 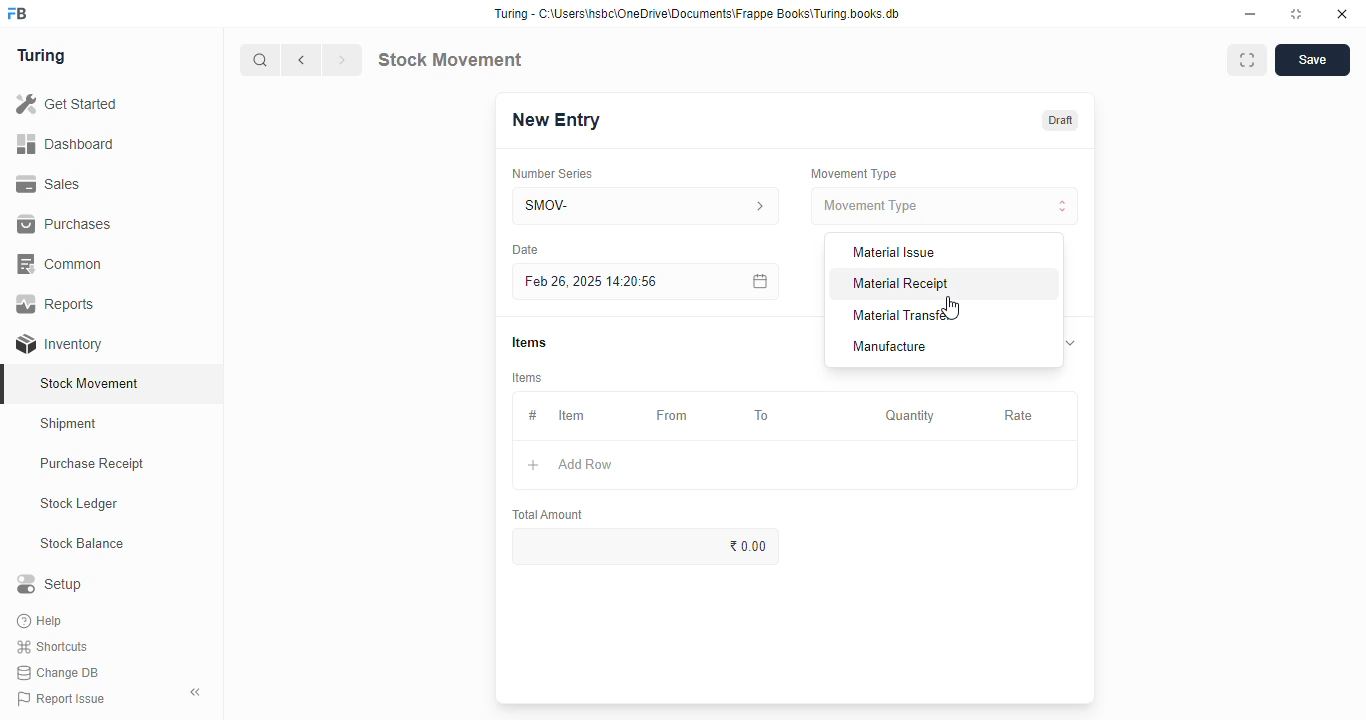 What do you see at coordinates (1073, 342) in the screenshot?
I see `toggle expand/collapse` at bounding box center [1073, 342].